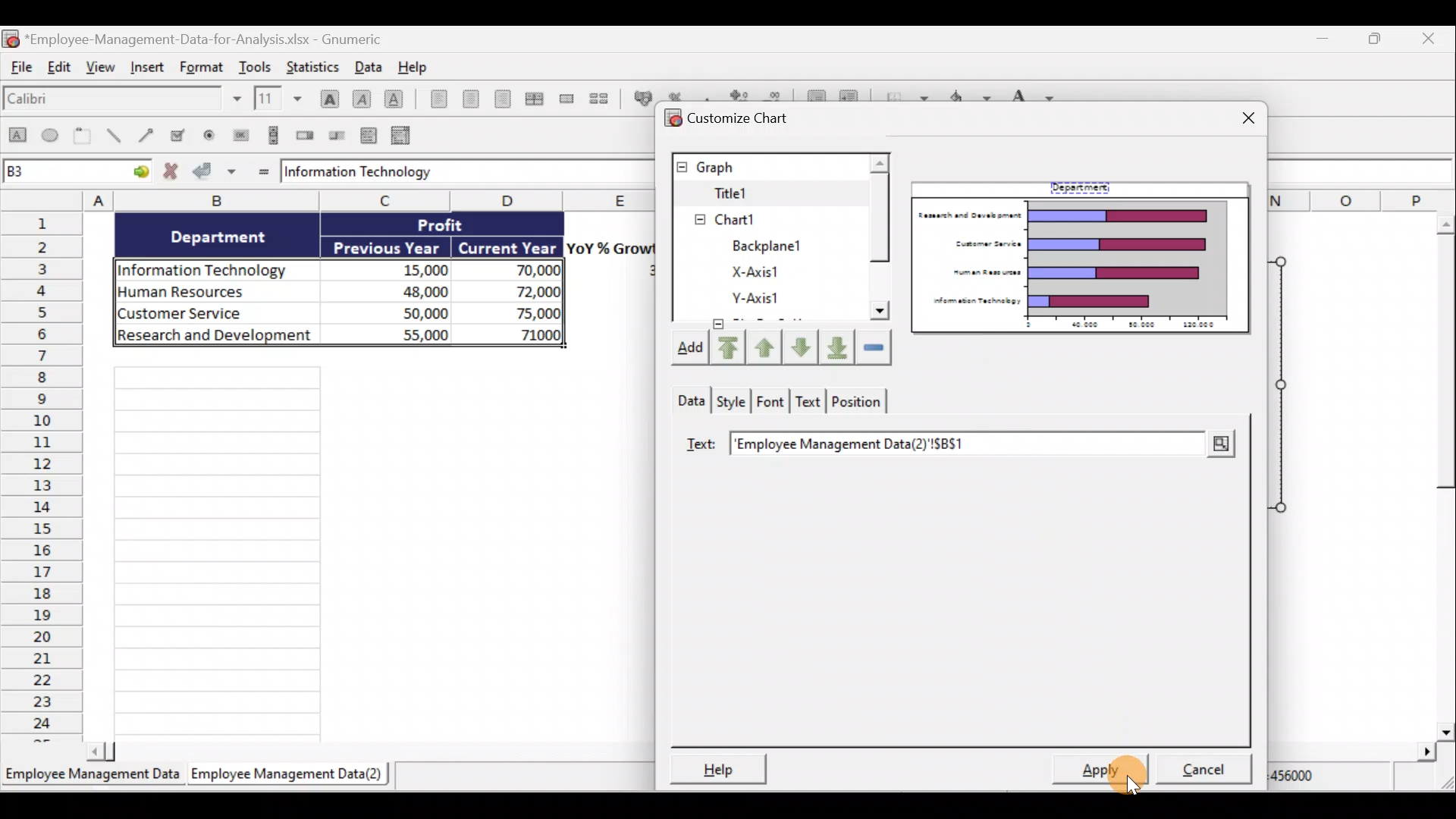 The width and height of the screenshot is (1456, 819). I want to click on Maximize, so click(1382, 41).